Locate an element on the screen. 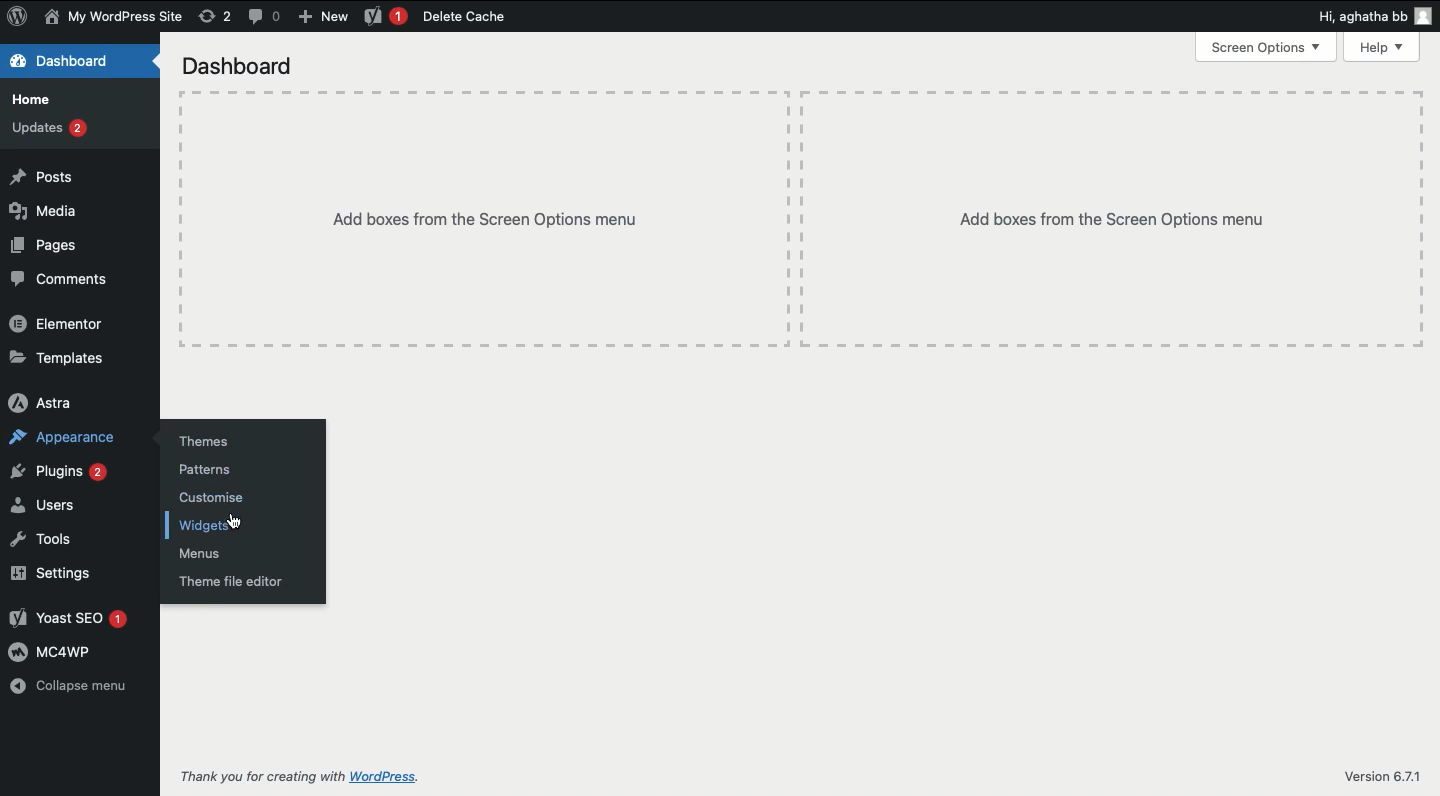  Tools is located at coordinates (58, 543).